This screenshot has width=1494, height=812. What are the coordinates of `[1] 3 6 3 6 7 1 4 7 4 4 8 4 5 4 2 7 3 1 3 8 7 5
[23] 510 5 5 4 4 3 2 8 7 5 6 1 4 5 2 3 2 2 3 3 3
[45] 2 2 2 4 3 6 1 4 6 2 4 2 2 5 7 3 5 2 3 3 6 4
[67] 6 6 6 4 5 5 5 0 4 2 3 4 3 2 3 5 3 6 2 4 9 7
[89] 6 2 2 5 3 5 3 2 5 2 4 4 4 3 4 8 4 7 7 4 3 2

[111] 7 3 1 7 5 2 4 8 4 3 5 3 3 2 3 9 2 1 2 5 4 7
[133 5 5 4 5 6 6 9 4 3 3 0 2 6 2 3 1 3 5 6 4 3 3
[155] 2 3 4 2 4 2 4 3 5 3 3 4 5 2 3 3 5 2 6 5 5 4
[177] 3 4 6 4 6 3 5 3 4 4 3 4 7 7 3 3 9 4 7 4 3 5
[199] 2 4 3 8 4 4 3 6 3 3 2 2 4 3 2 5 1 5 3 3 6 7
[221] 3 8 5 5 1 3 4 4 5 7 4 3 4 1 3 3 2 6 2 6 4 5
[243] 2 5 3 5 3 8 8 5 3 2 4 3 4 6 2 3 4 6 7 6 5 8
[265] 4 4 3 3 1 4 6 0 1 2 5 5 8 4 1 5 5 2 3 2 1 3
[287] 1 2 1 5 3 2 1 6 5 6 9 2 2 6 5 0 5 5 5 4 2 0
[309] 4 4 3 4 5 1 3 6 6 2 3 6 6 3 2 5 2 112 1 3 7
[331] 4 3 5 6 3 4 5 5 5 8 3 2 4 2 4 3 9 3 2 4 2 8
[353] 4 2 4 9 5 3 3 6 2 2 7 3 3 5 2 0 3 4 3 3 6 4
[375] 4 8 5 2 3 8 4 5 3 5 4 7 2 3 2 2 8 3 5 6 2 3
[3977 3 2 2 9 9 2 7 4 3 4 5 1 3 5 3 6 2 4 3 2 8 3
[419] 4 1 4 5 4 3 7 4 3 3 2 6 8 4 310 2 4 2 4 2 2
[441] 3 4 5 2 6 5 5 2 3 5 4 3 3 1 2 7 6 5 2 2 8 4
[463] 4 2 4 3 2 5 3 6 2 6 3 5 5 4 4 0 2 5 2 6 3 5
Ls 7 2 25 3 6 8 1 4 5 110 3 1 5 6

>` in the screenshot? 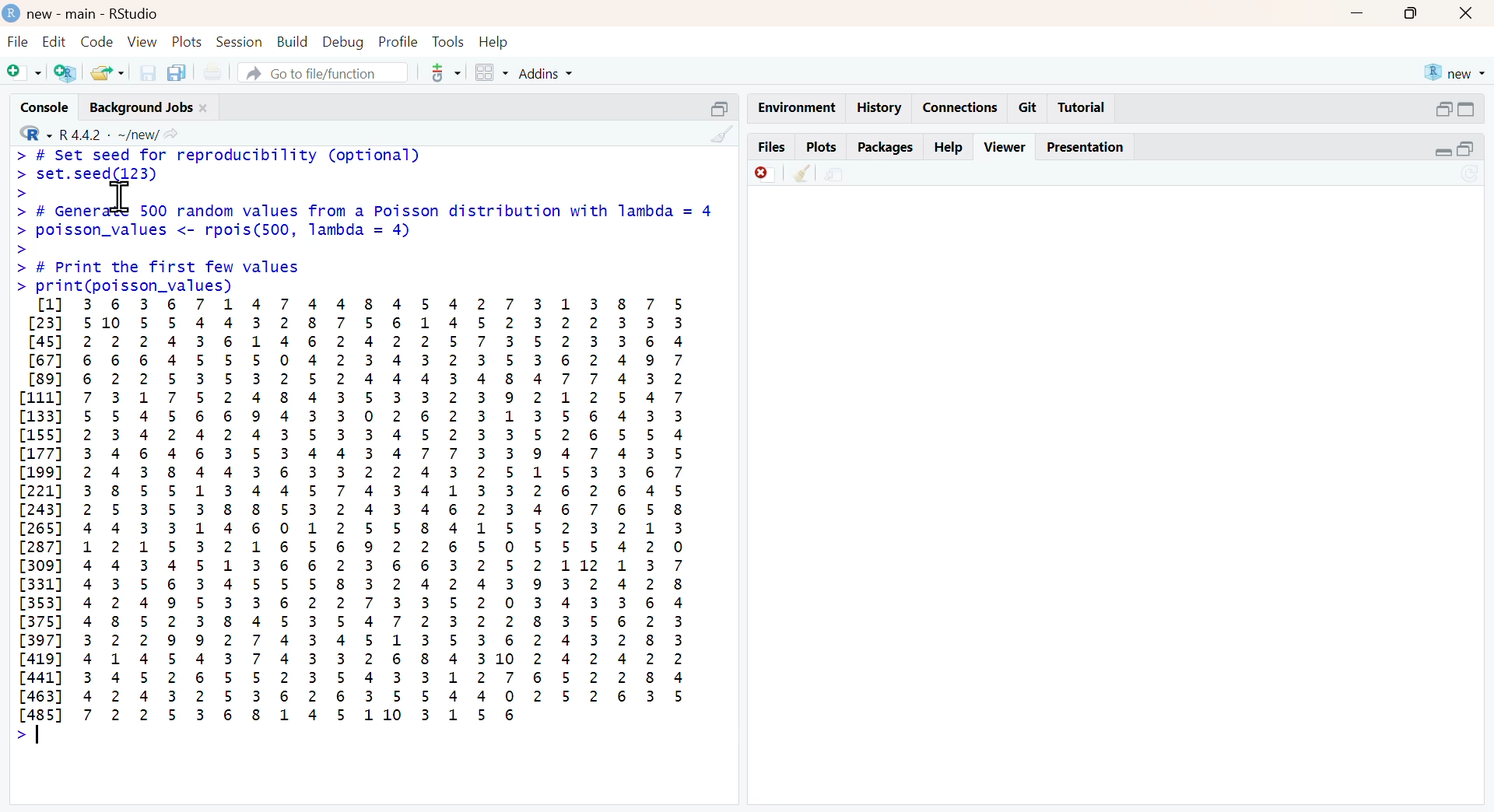 It's located at (352, 520).